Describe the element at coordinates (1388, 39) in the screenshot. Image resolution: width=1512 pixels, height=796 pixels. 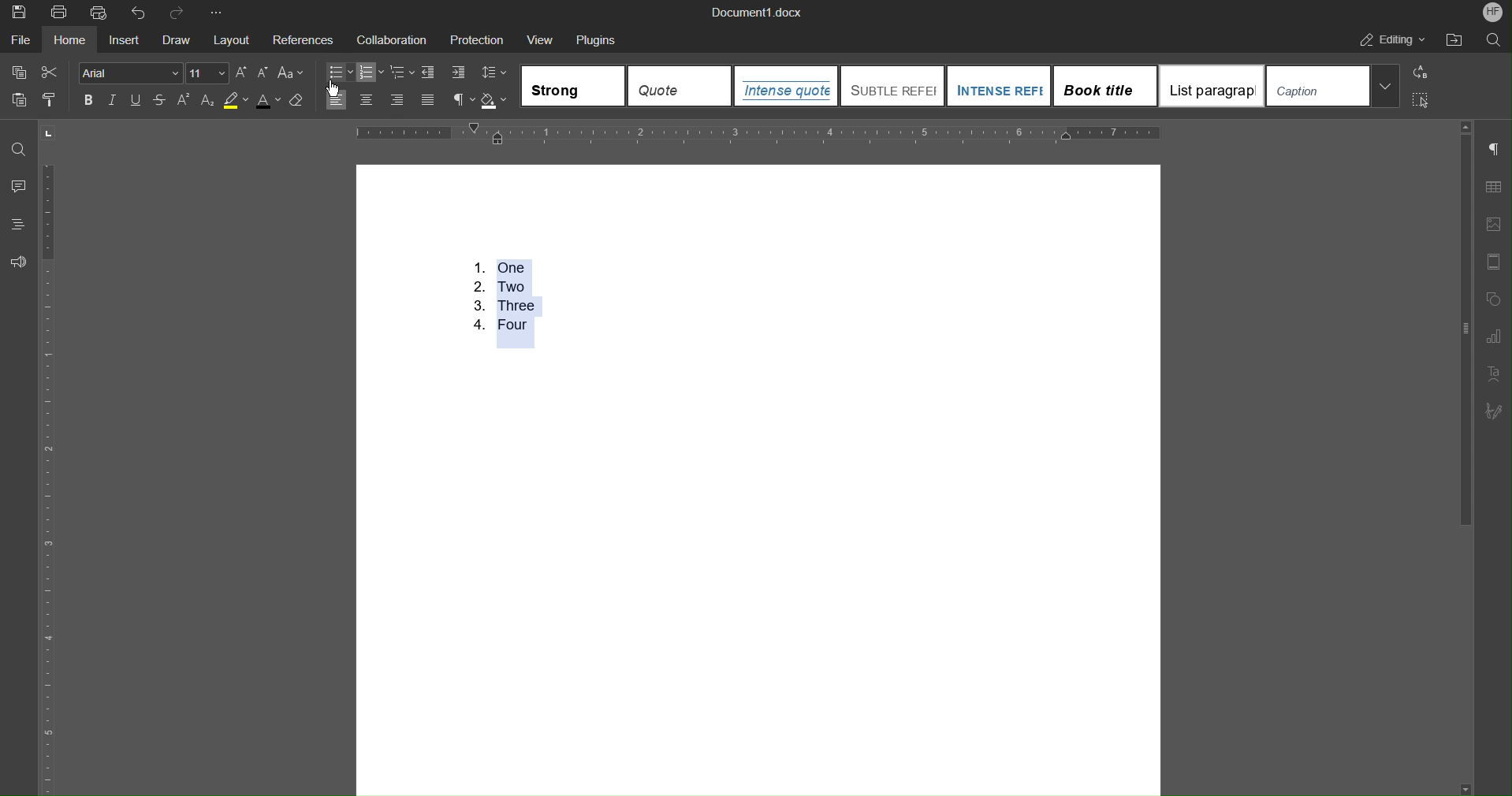
I see `Editing` at that location.